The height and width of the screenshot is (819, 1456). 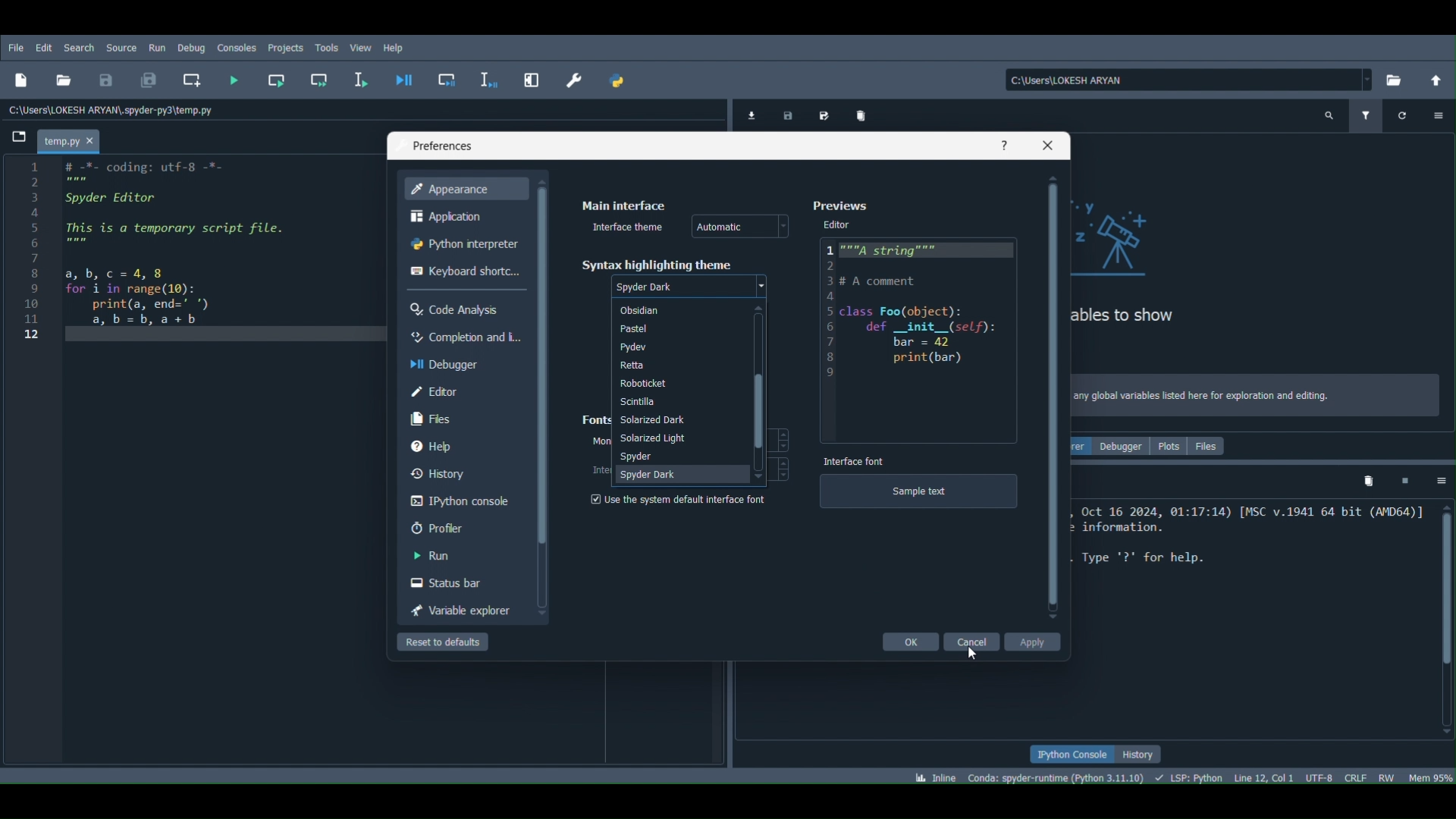 I want to click on Create new cell at the current line (Ctrl + 2), so click(x=192, y=77).